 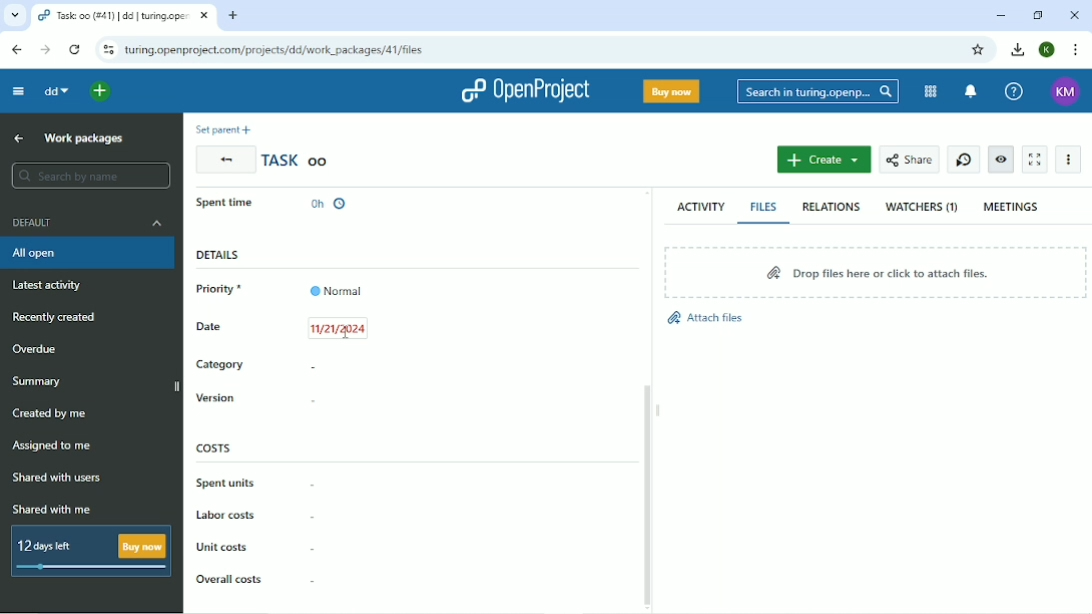 I want to click on Text cursor, so click(x=346, y=333).